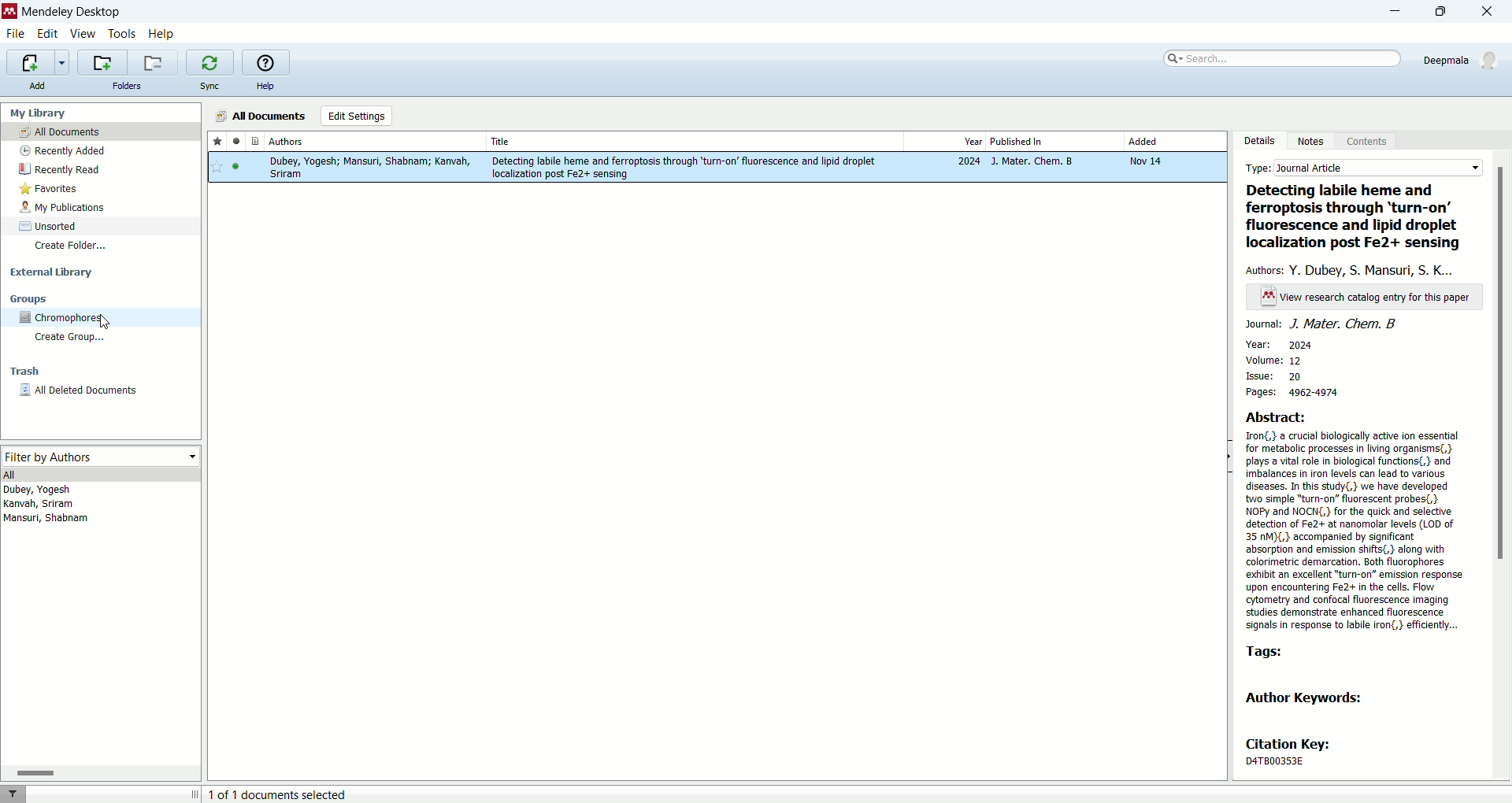 The height and width of the screenshot is (803, 1512). Describe the element at coordinates (1391, 13) in the screenshot. I see `minimize` at that location.